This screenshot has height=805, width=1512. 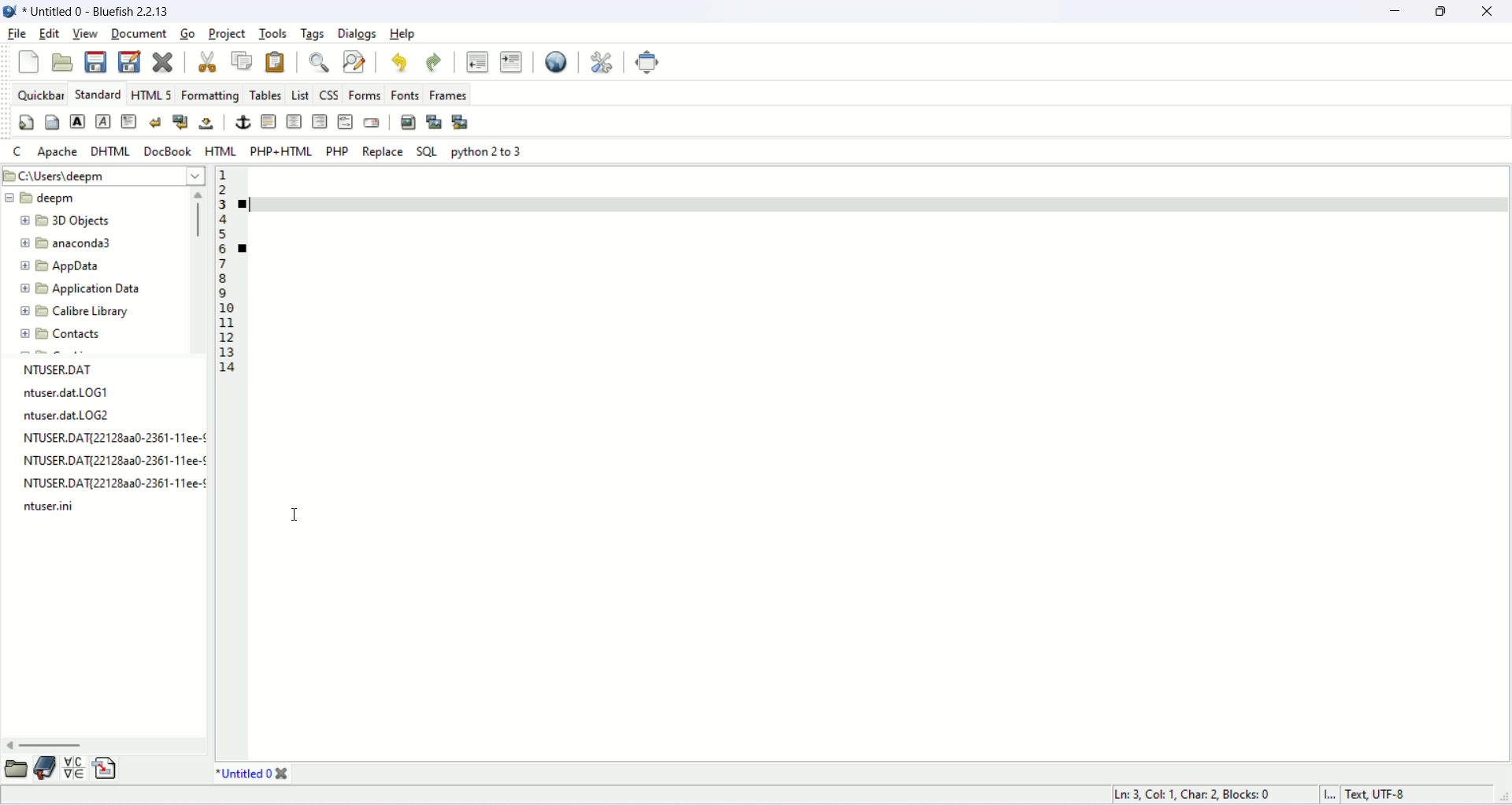 I want to click on snippets, so click(x=107, y=773).